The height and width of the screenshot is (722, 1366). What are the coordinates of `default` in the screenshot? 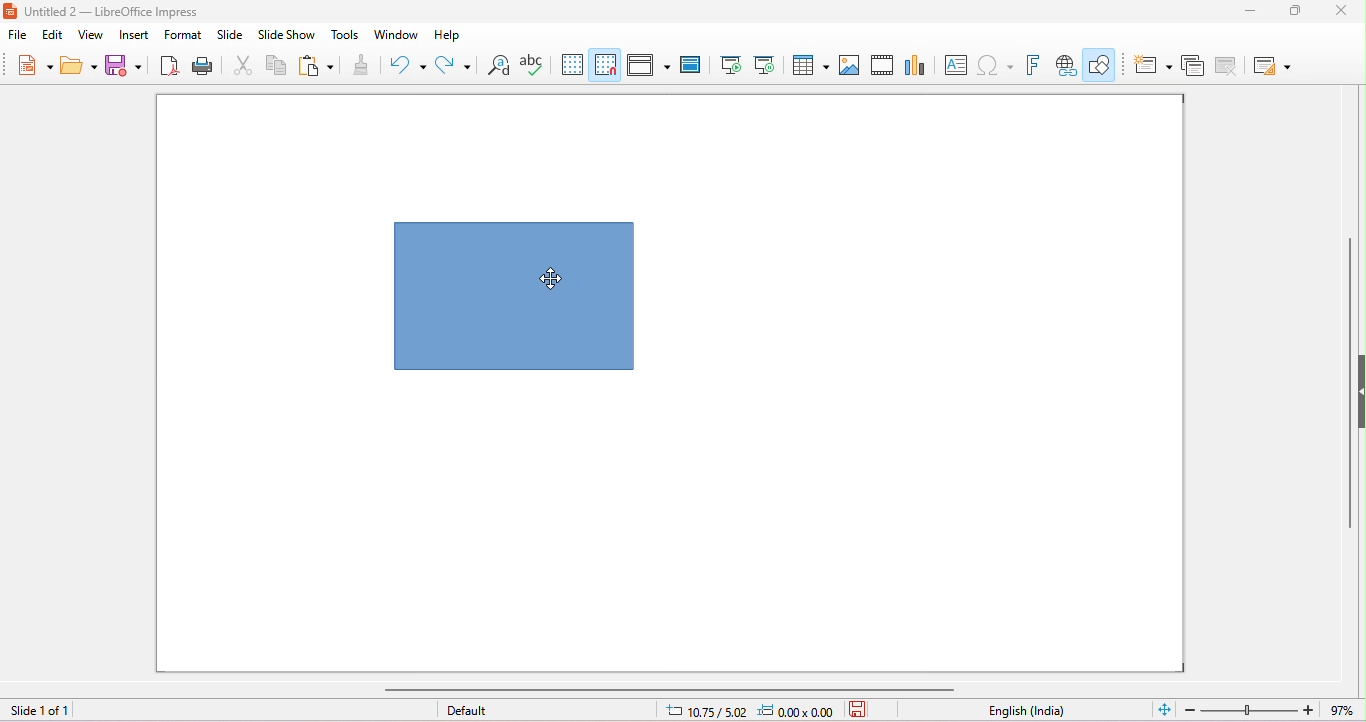 It's located at (468, 710).